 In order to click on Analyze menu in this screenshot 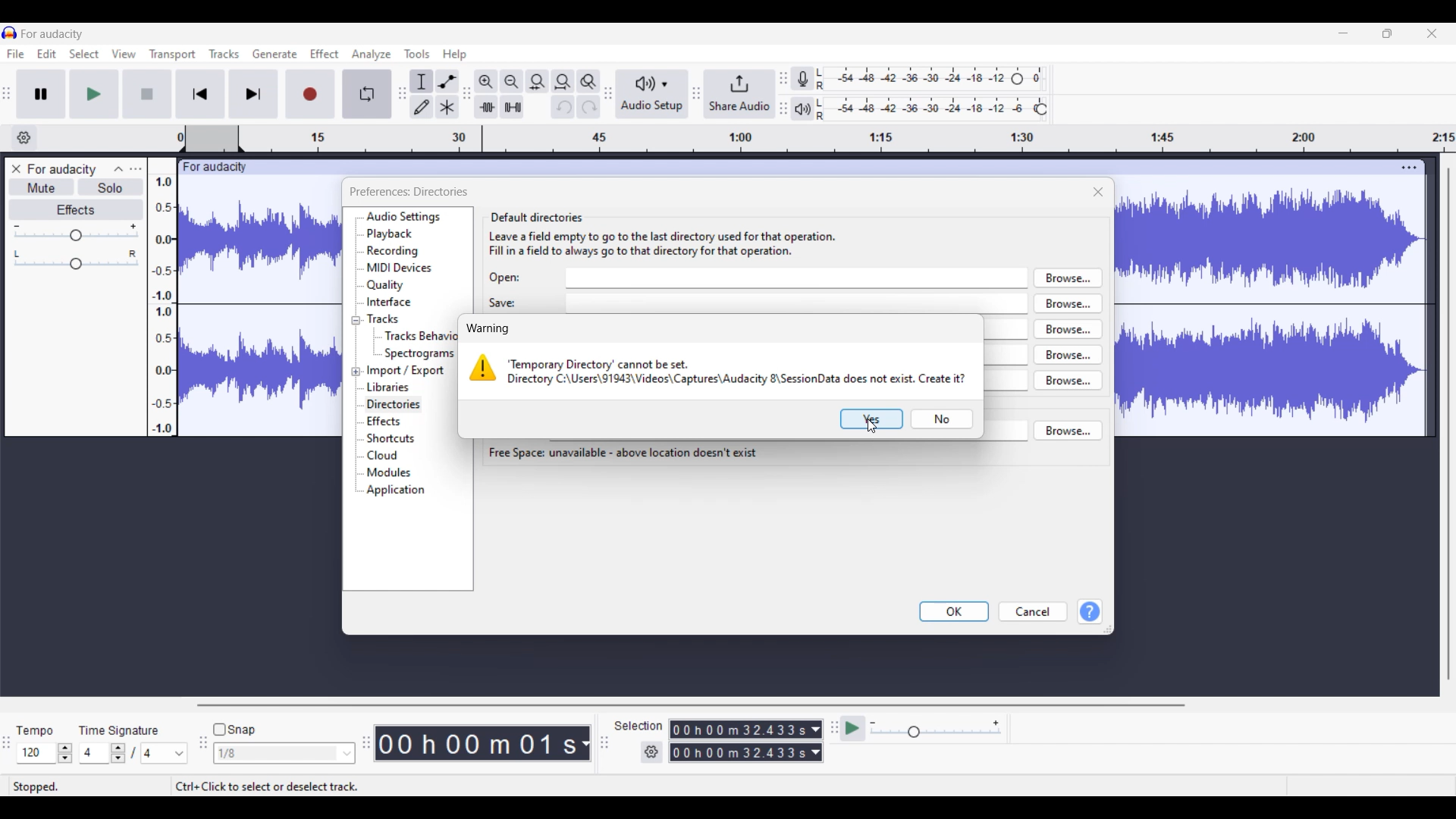, I will do `click(372, 55)`.